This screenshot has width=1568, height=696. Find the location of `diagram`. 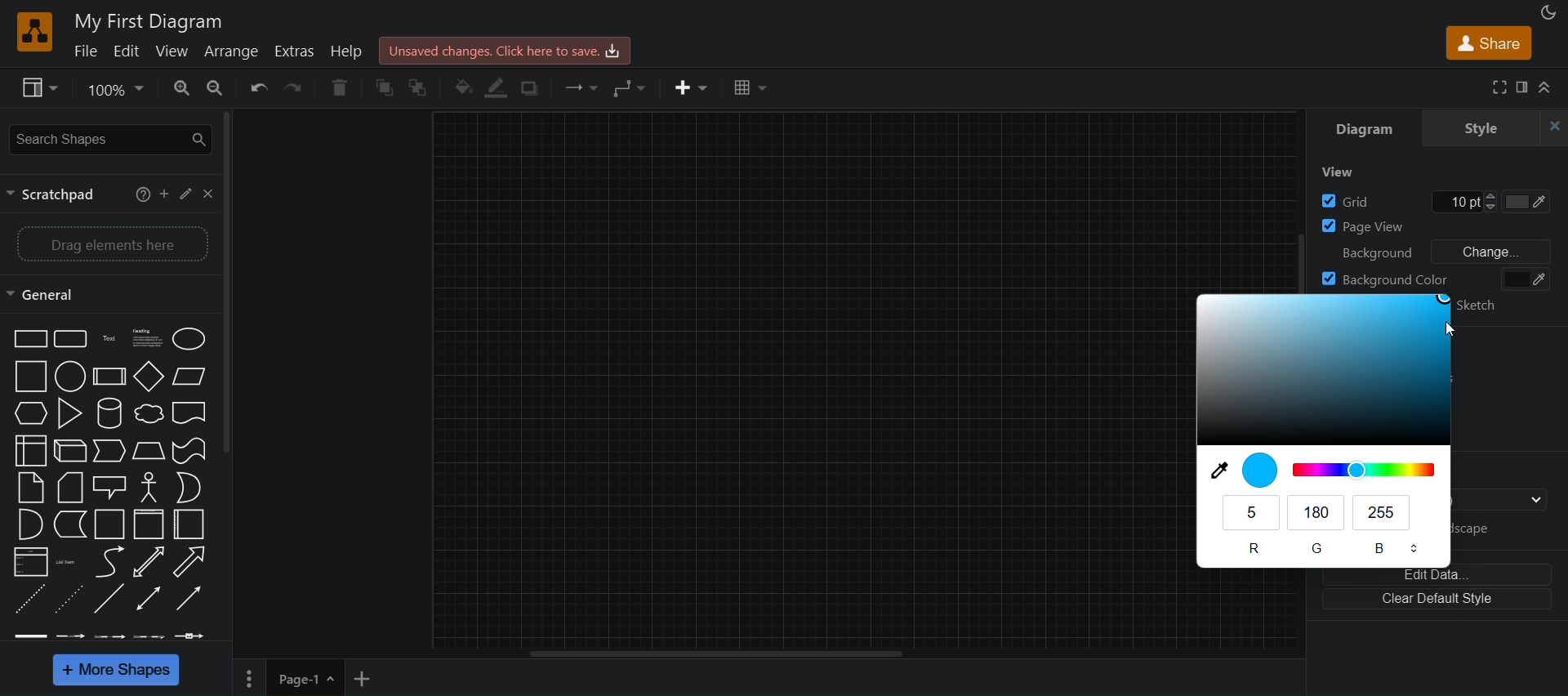

diagram is located at coordinates (1365, 125).